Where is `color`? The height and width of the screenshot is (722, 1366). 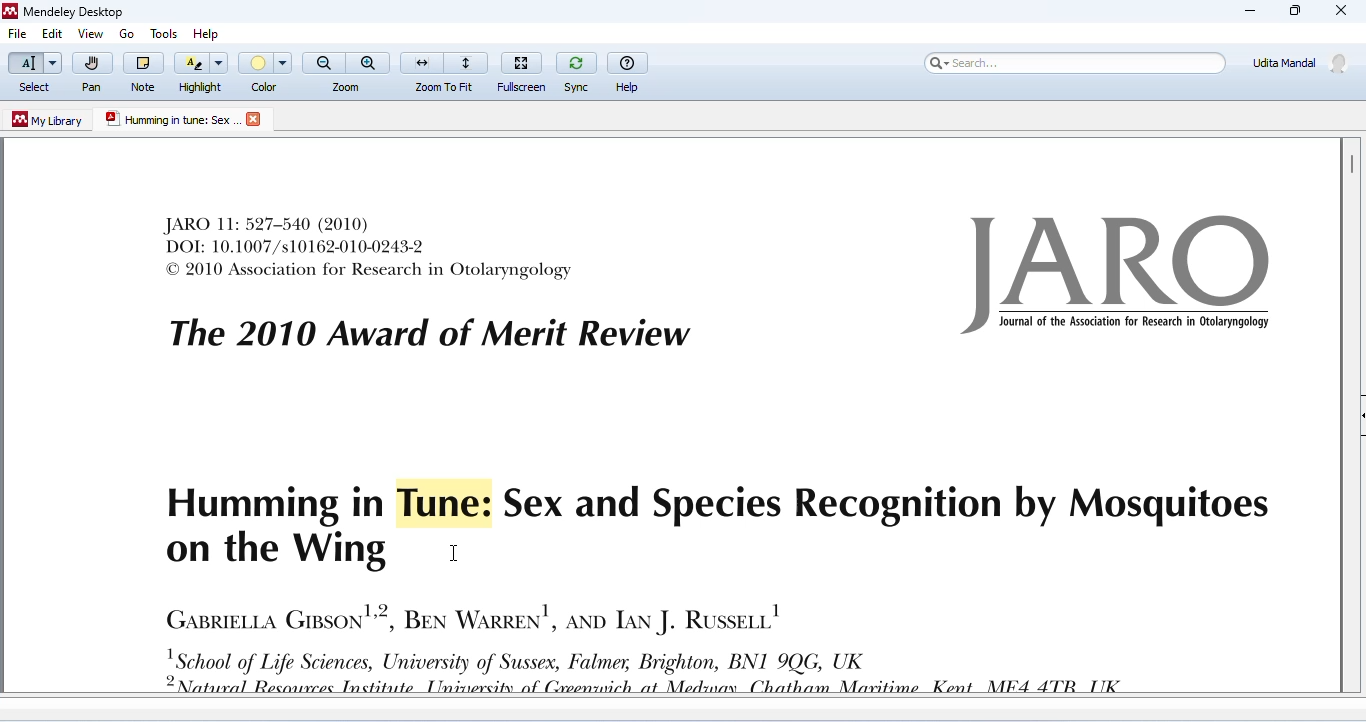 color is located at coordinates (267, 72).